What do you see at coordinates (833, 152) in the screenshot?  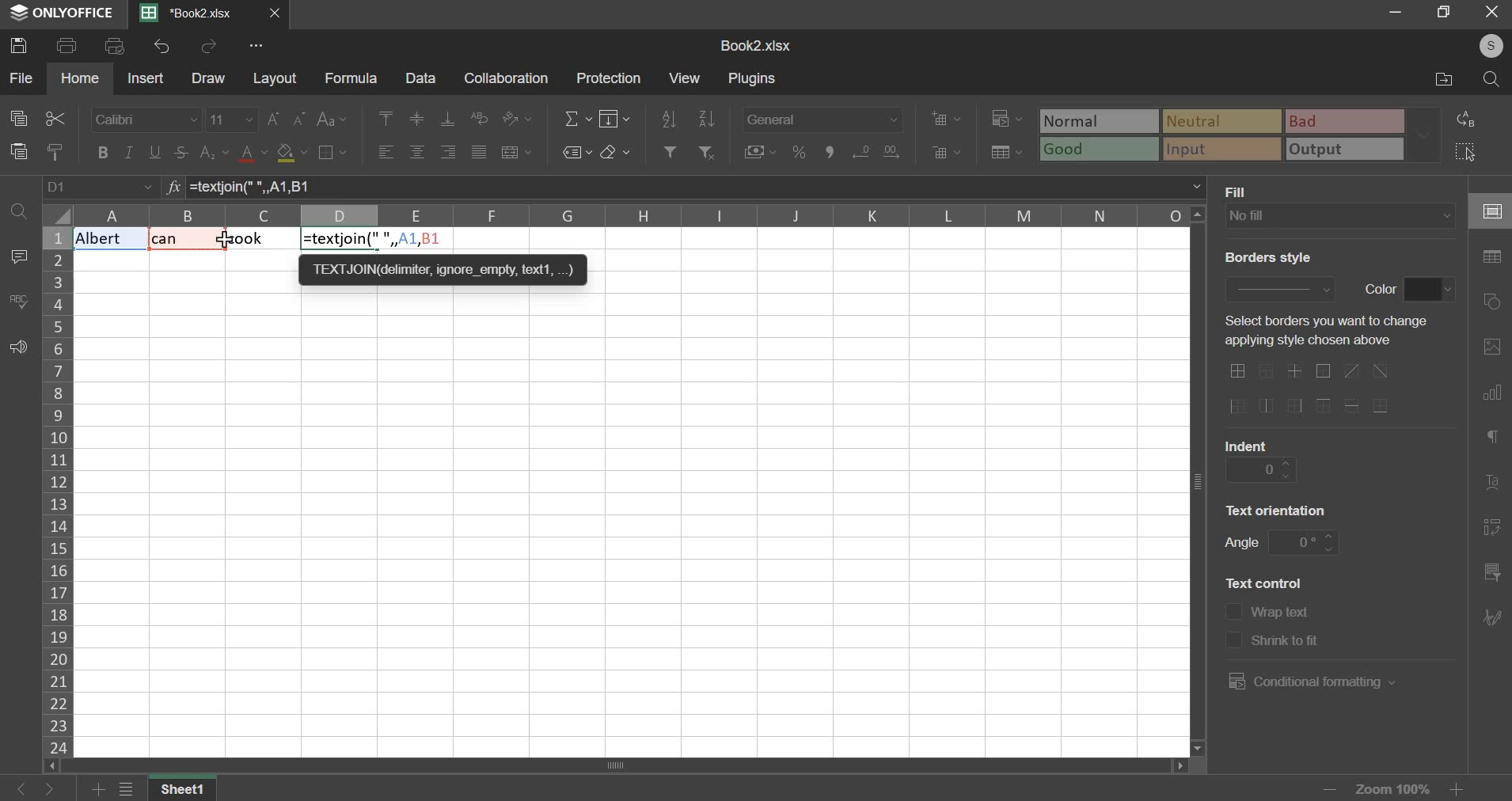 I see `comma style` at bounding box center [833, 152].